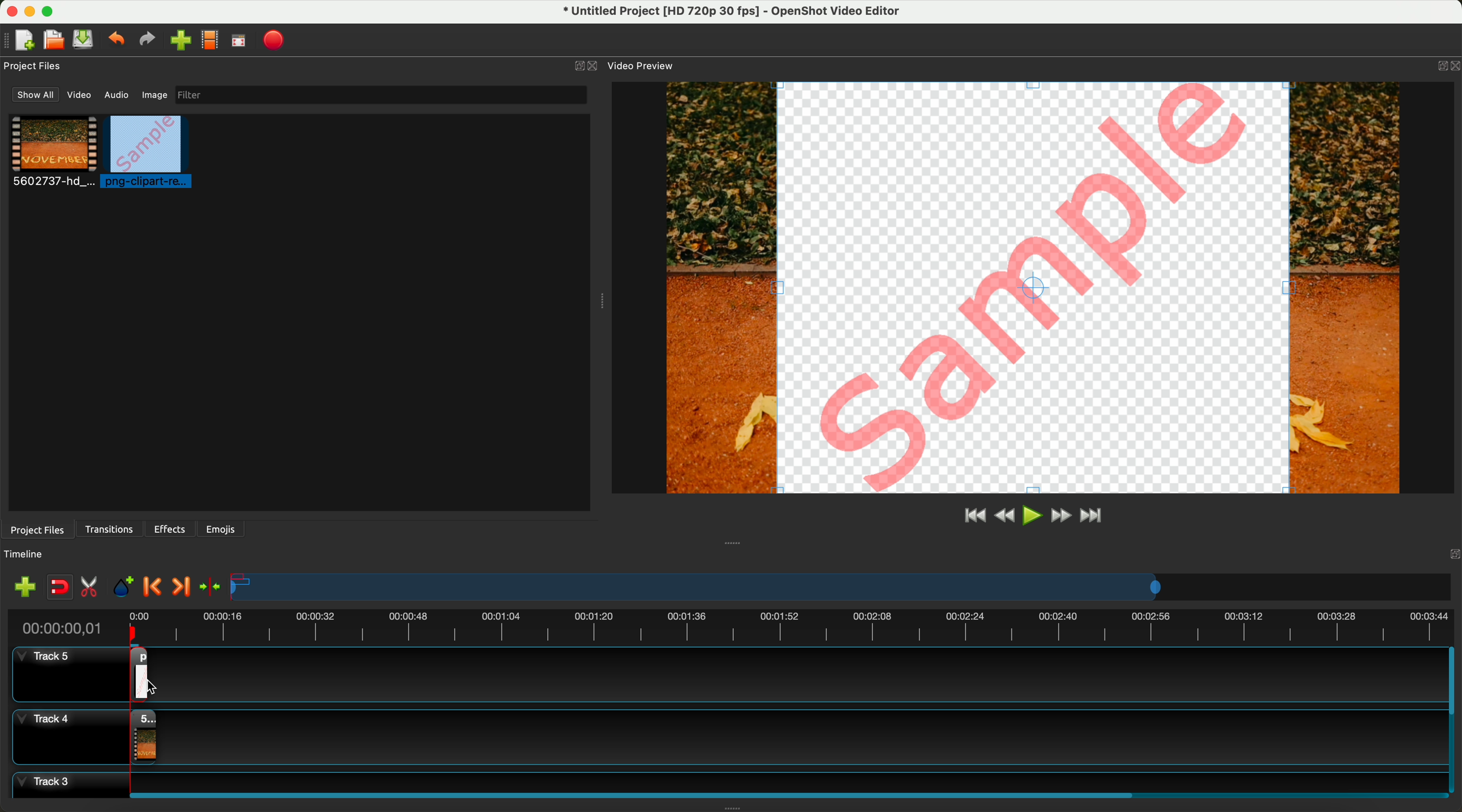  What do you see at coordinates (586, 66) in the screenshot?
I see `close` at bounding box center [586, 66].